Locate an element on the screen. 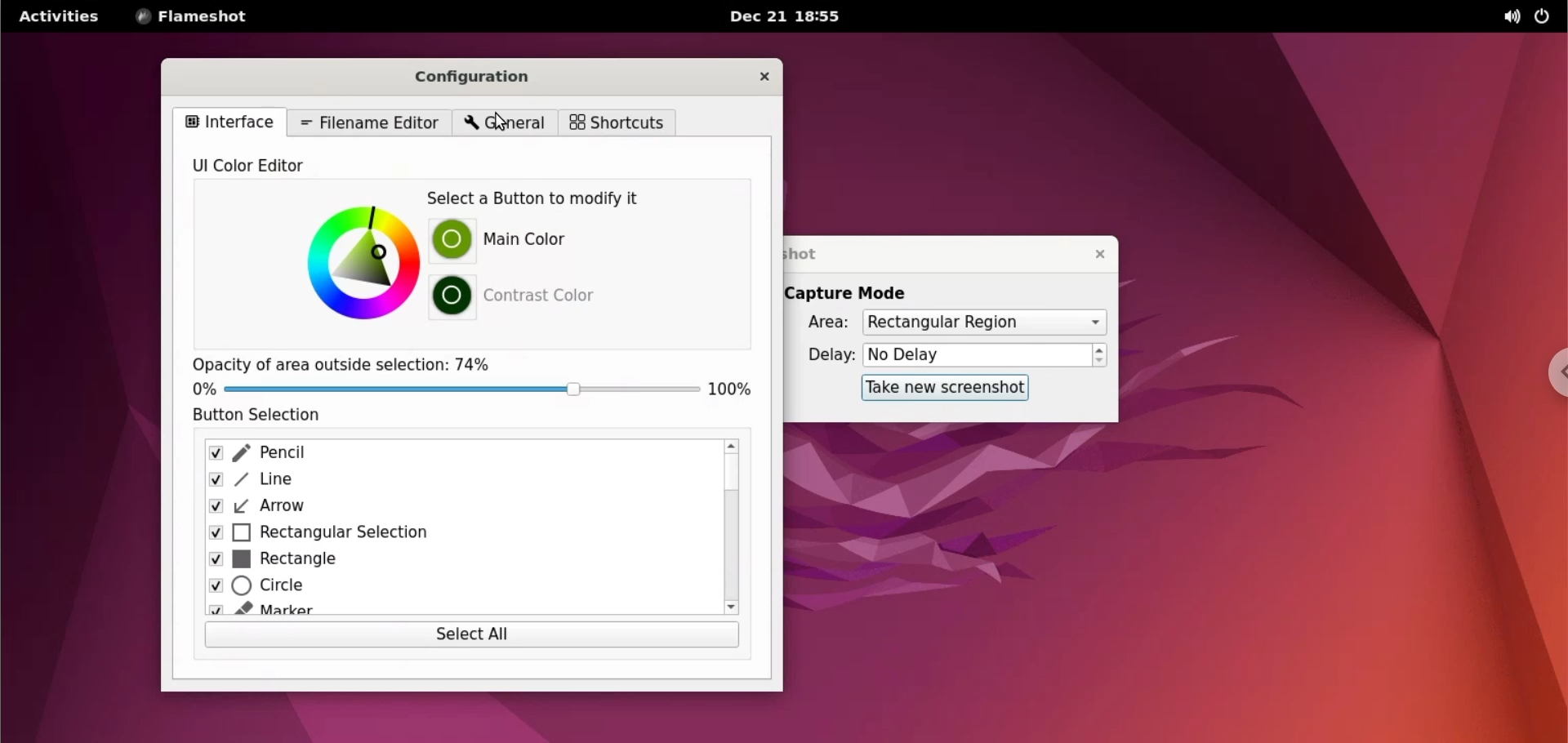 This screenshot has height=743, width=1568. sound options is located at coordinates (1508, 17).